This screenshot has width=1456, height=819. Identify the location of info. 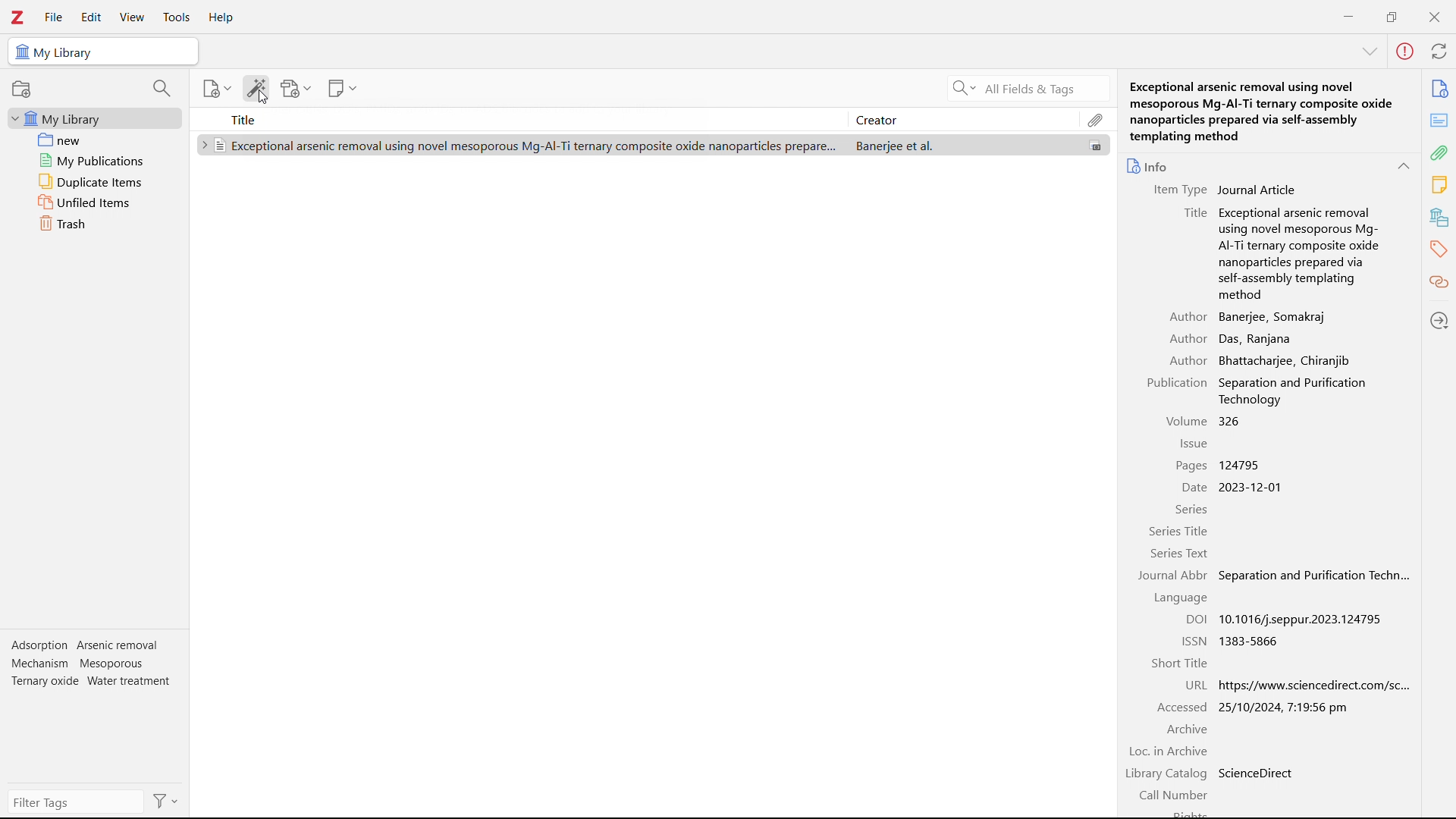
(1149, 165).